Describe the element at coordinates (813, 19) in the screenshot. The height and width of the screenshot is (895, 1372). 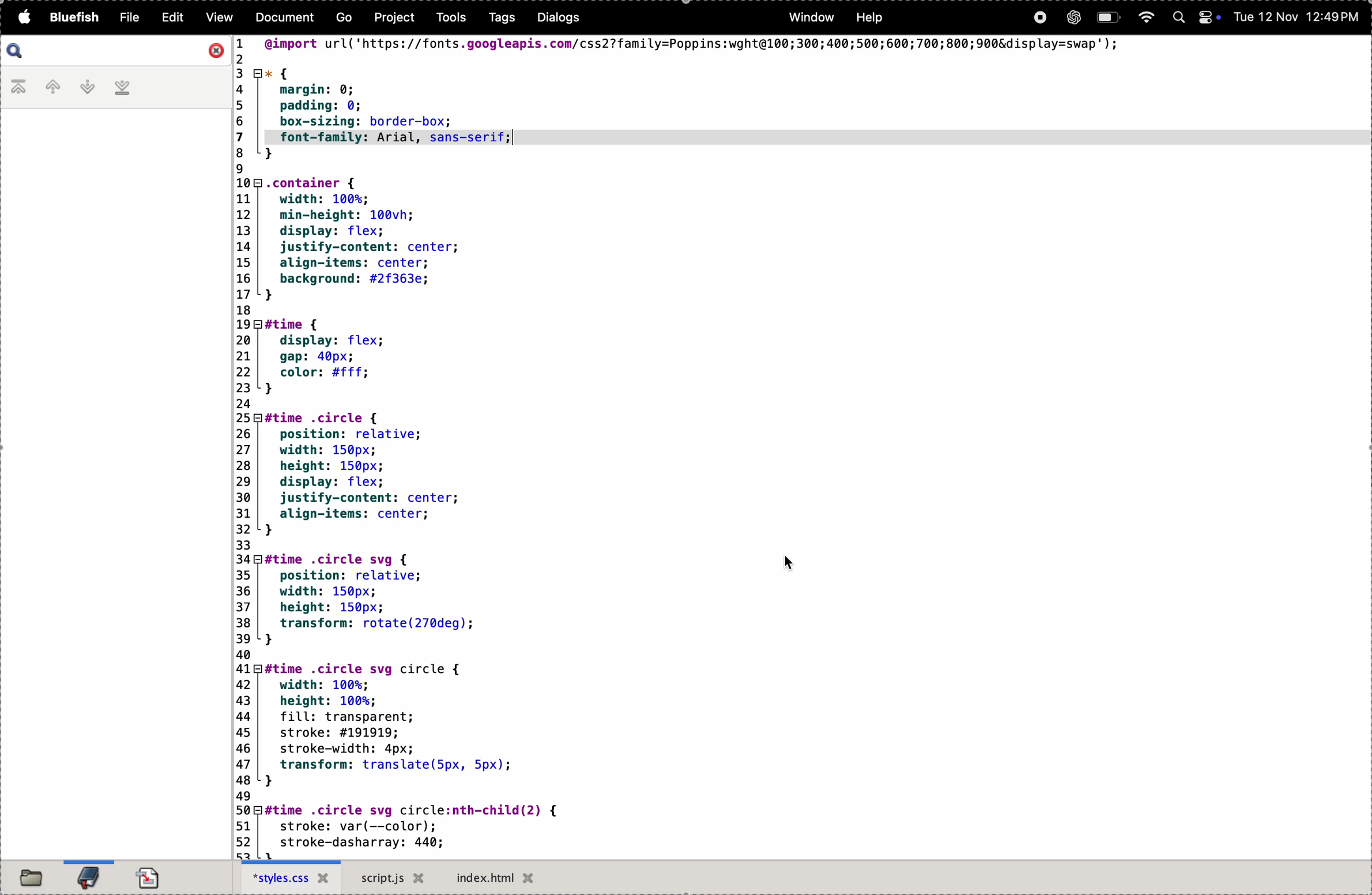
I see `window` at that location.